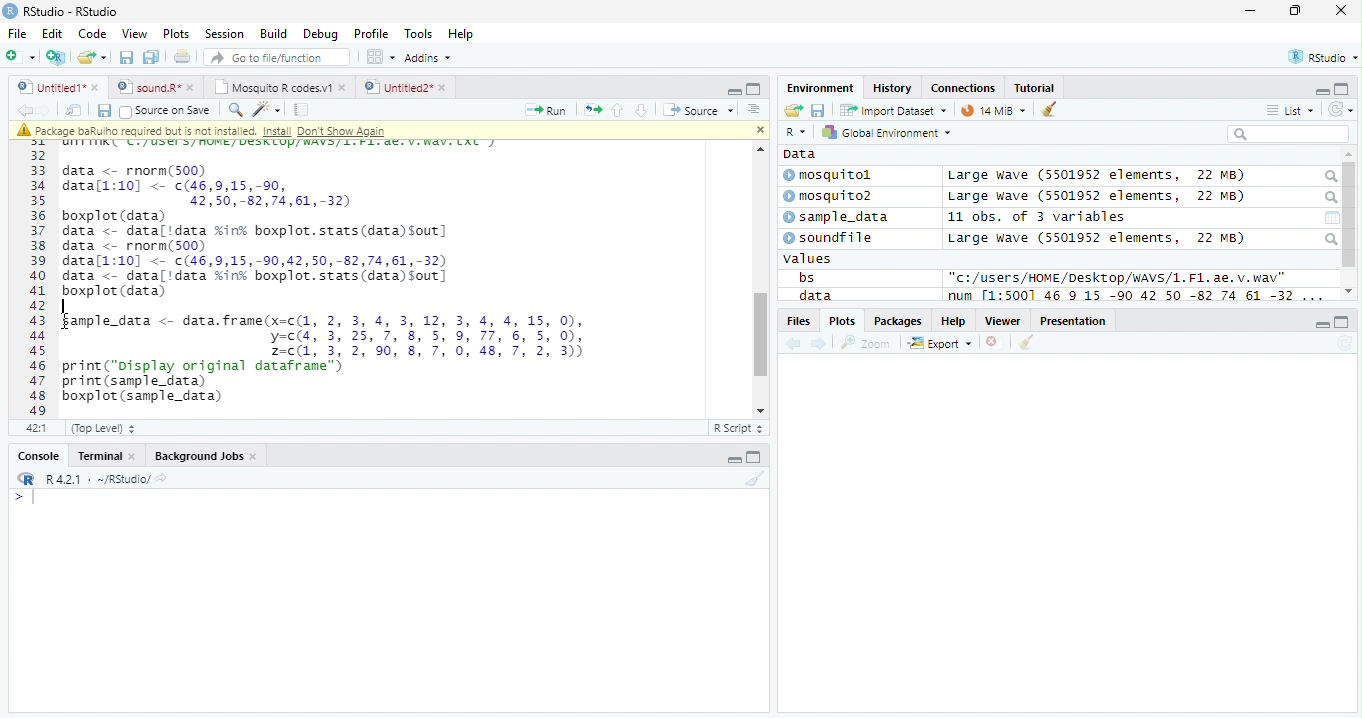 This screenshot has height=718, width=1362. What do you see at coordinates (753, 479) in the screenshot?
I see `clear workspace` at bounding box center [753, 479].